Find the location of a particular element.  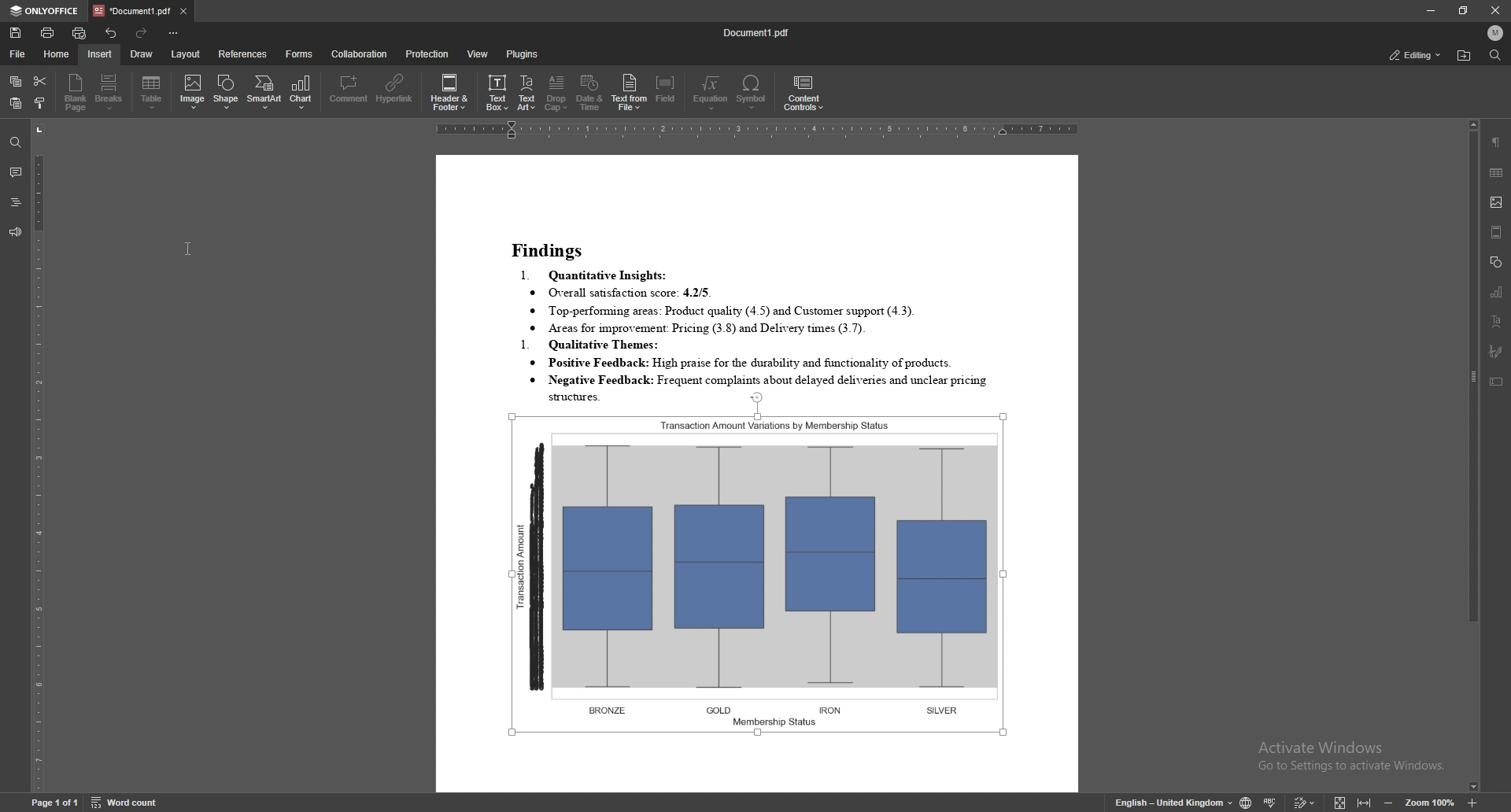

paragraph is located at coordinates (1497, 142).